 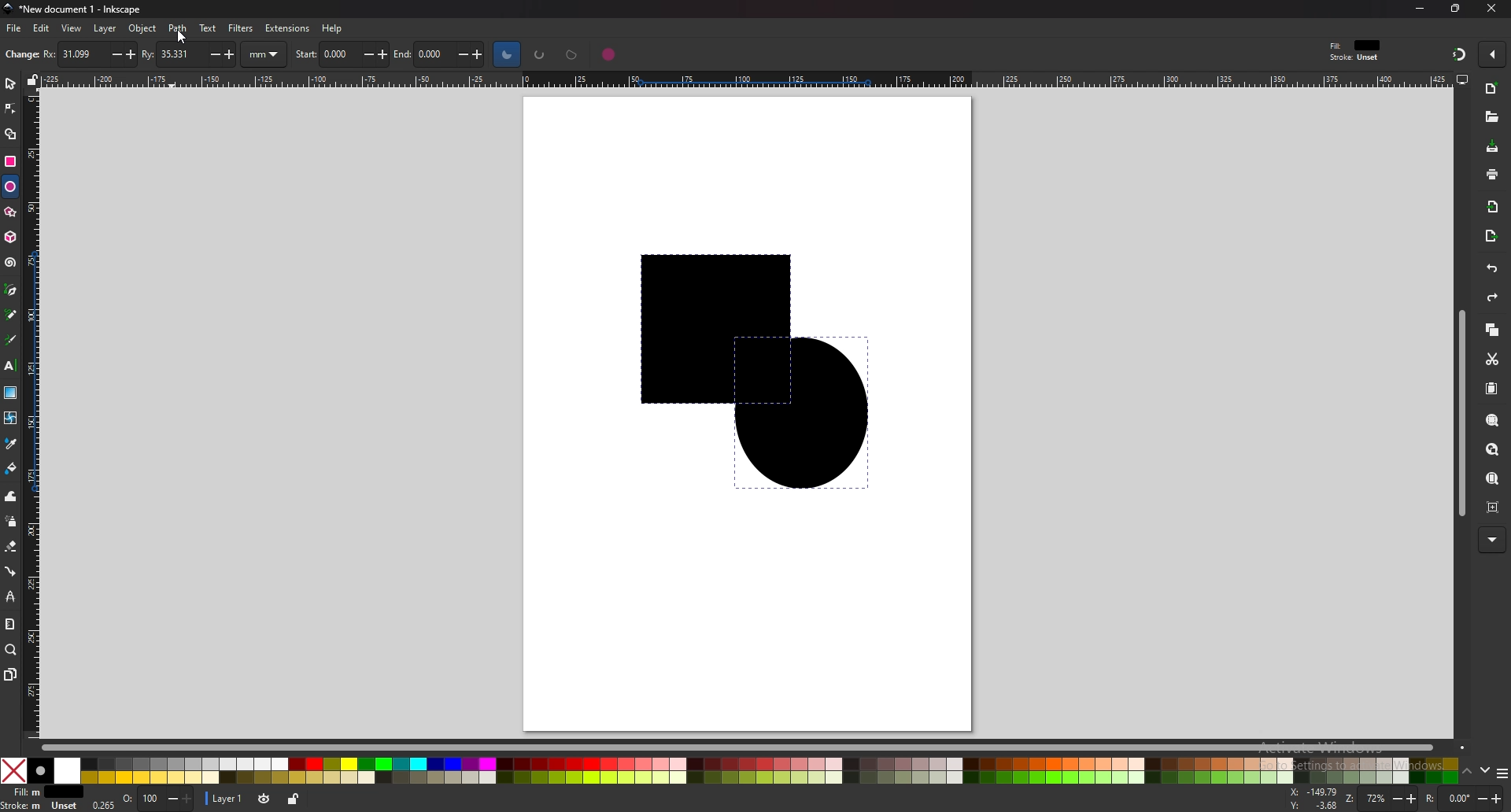 What do you see at coordinates (12, 570) in the screenshot?
I see `connector` at bounding box center [12, 570].